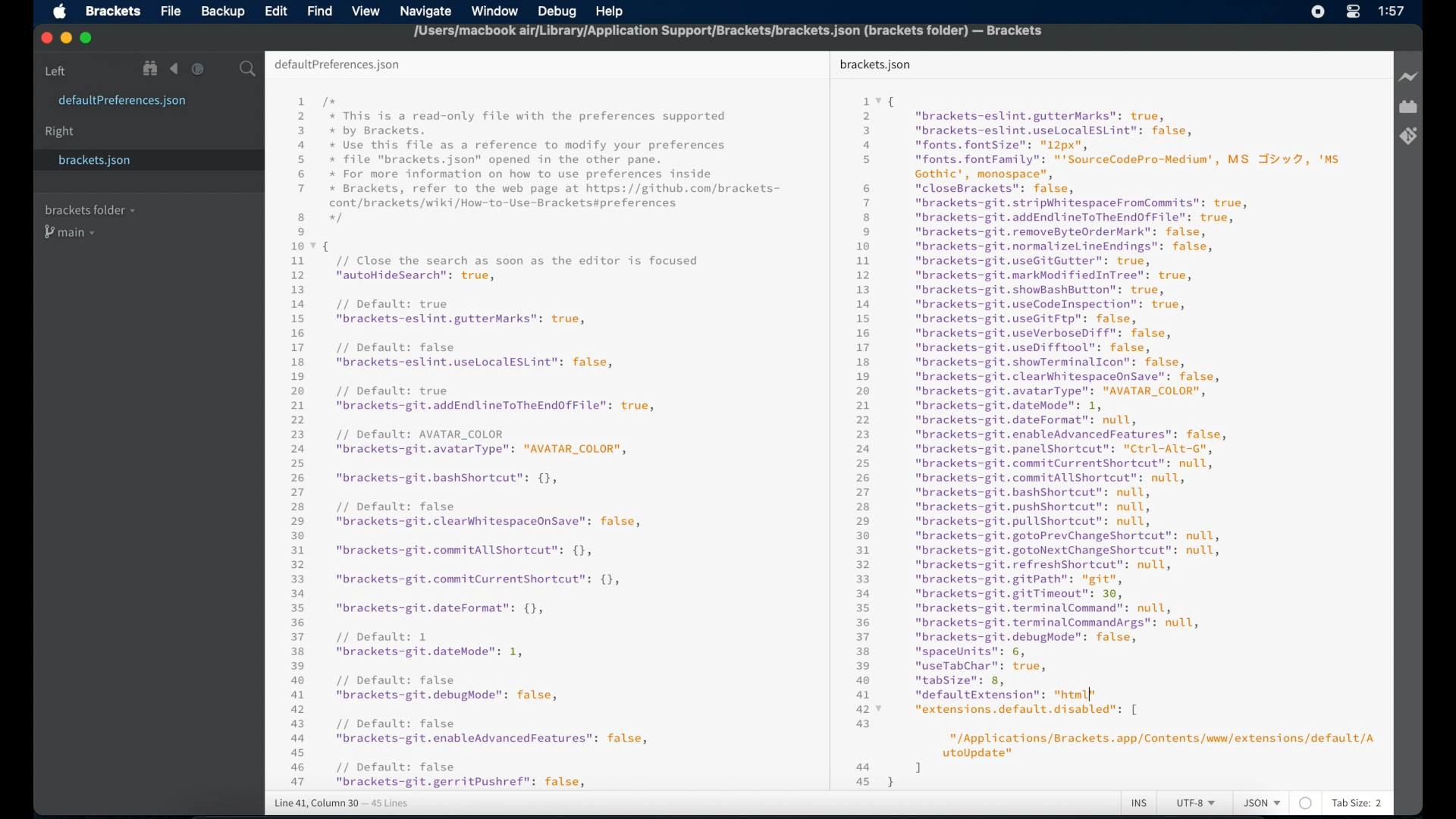 The image size is (1456, 819). I want to click on control center, so click(1353, 12).